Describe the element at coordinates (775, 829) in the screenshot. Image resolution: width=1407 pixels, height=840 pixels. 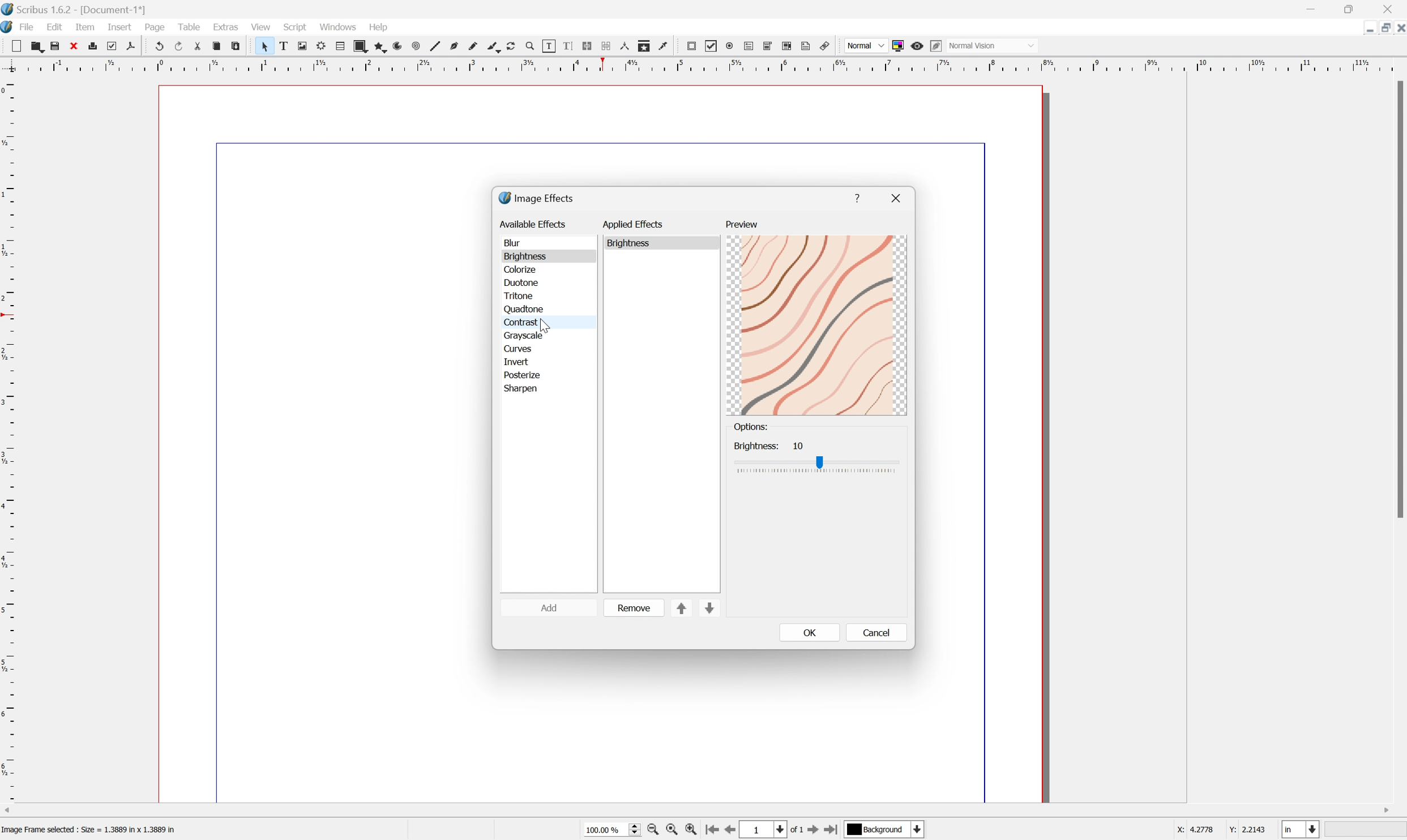
I see `1 of 1` at that location.